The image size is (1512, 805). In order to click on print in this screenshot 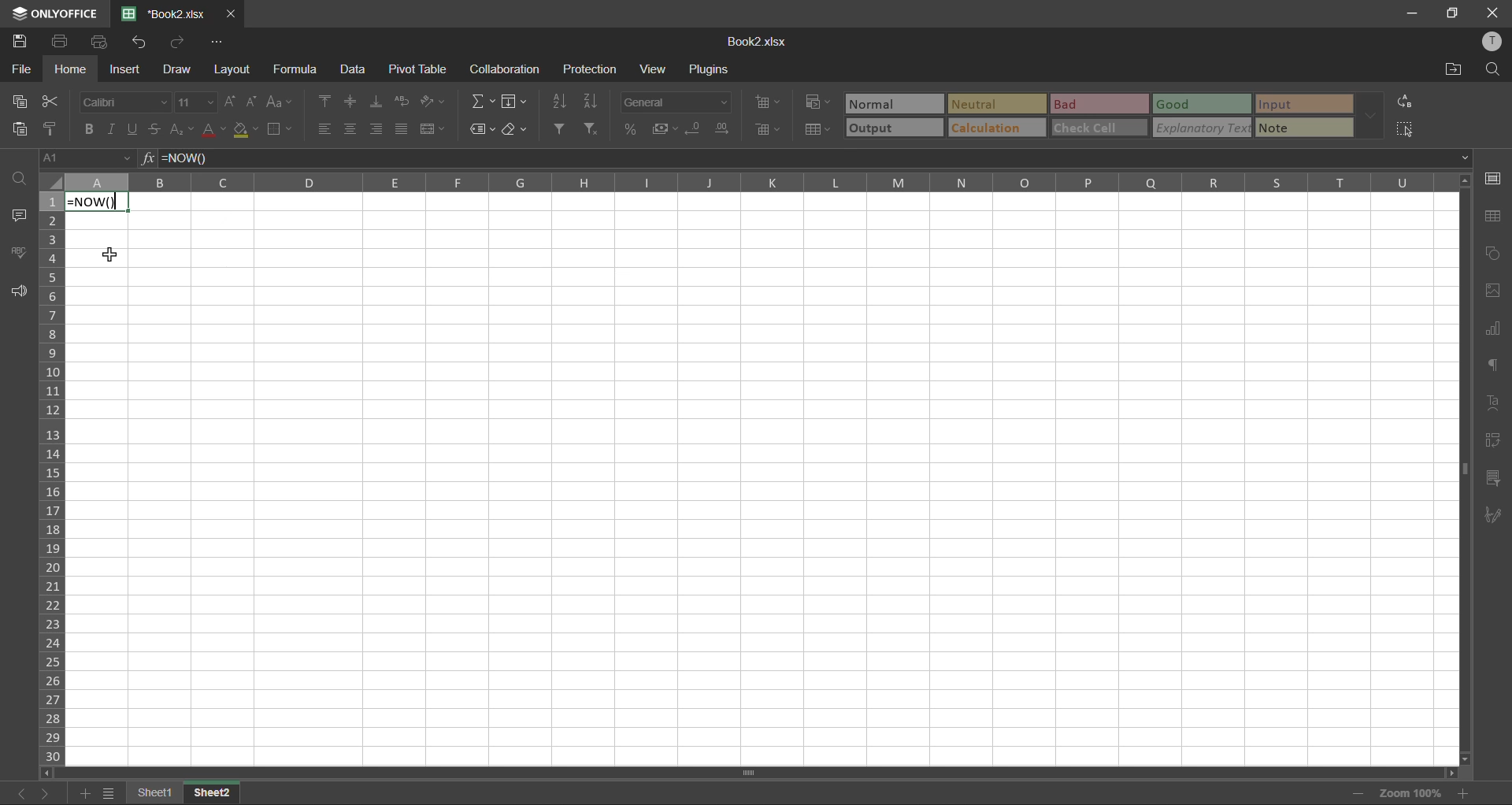, I will do `click(63, 40)`.